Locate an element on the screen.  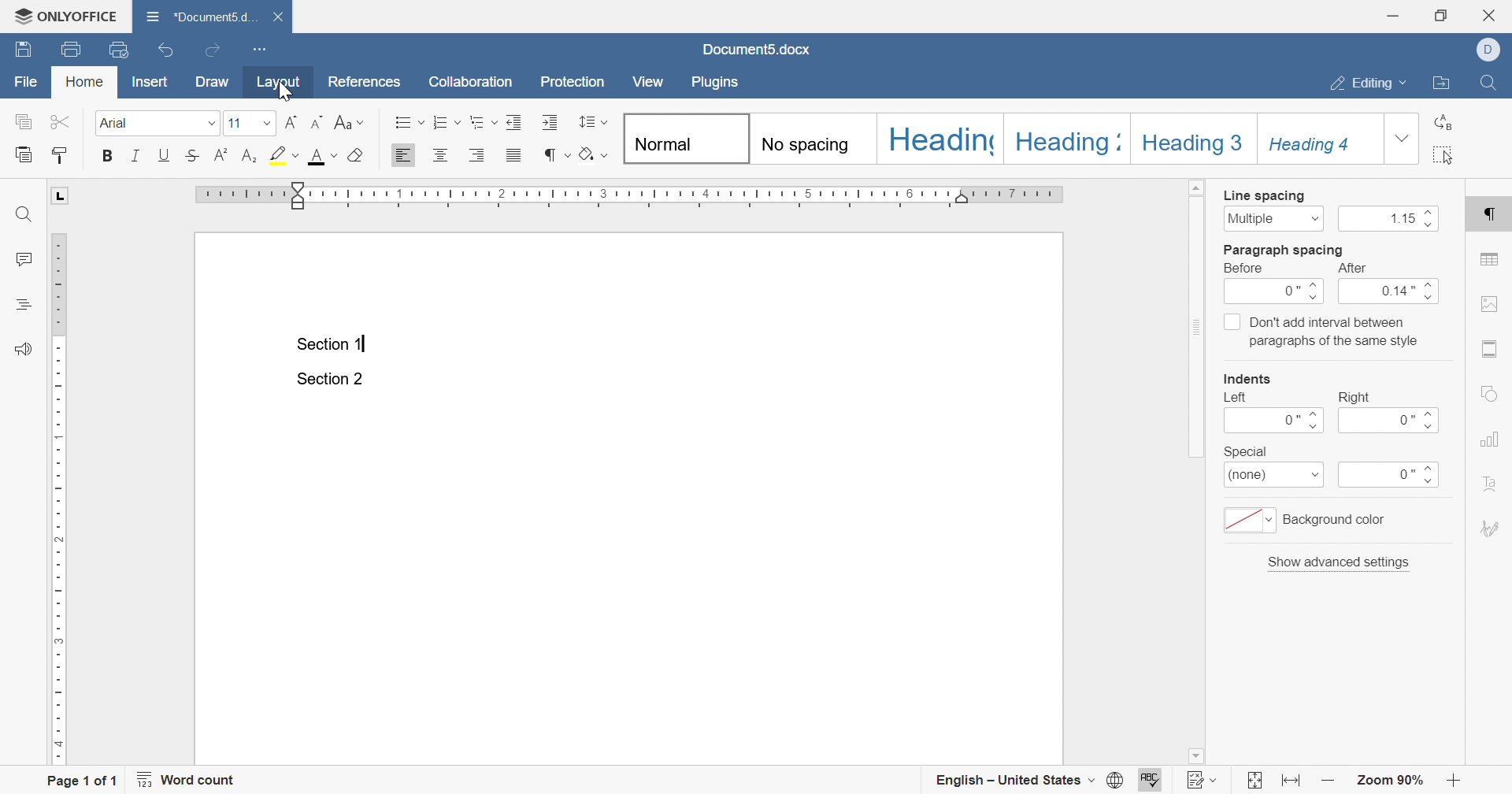
copy is located at coordinates (21, 121).